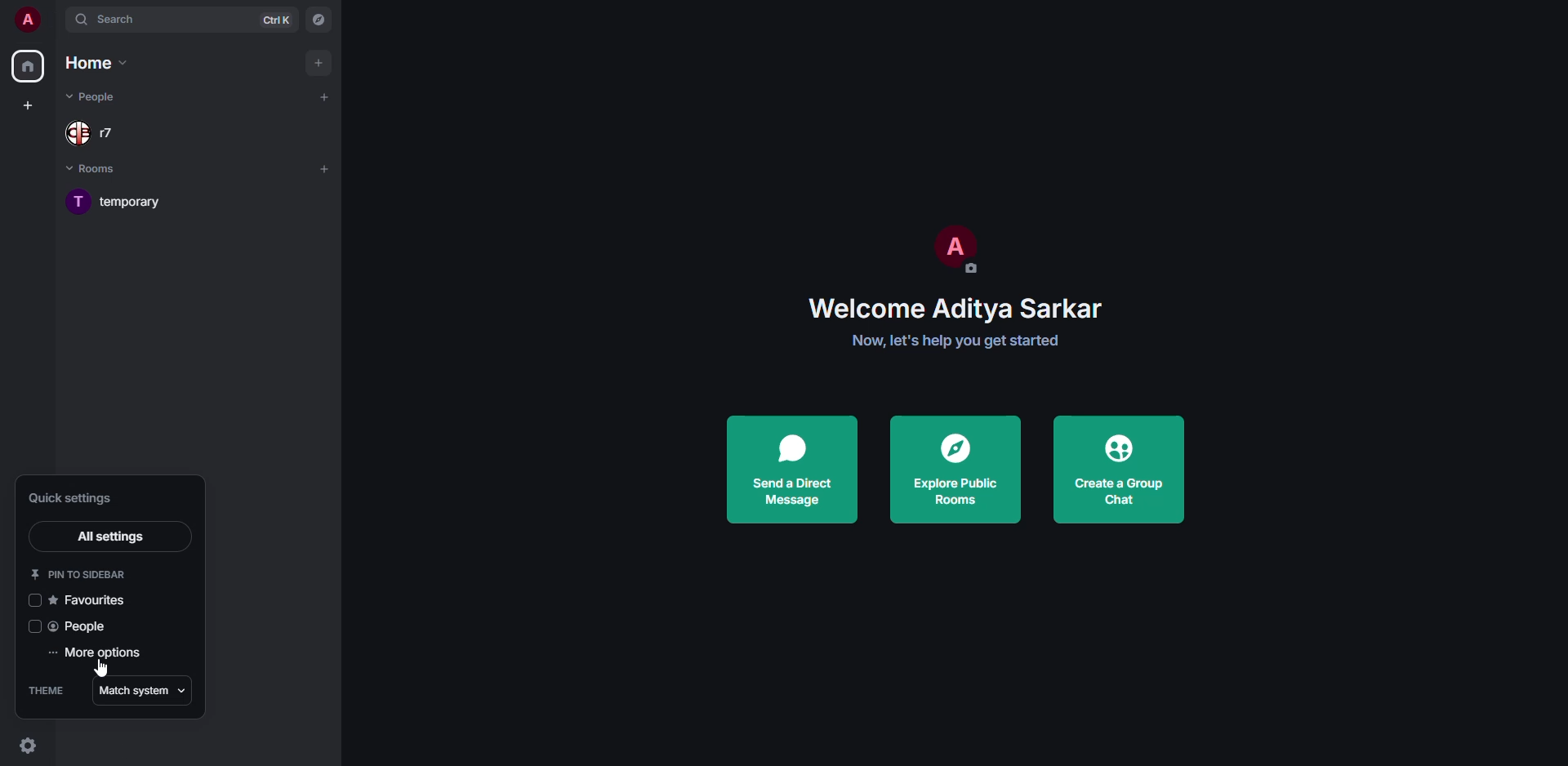 This screenshot has height=766, width=1568. Describe the element at coordinates (27, 19) in the screenshot. I see `profile` at that location.